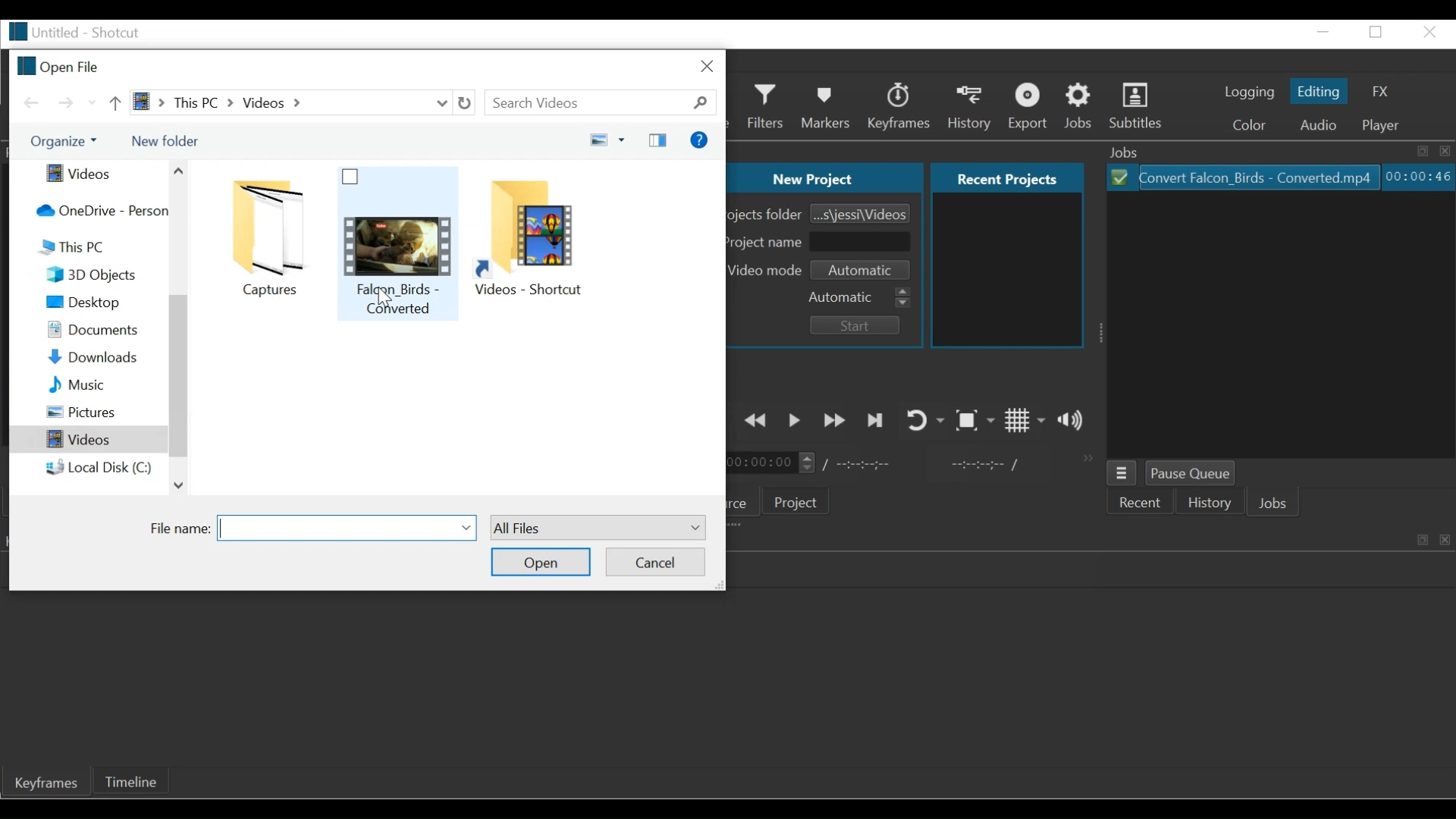 The height and width of the screenshot is (819, 1456). I want to click on Close, so click(707, 65).